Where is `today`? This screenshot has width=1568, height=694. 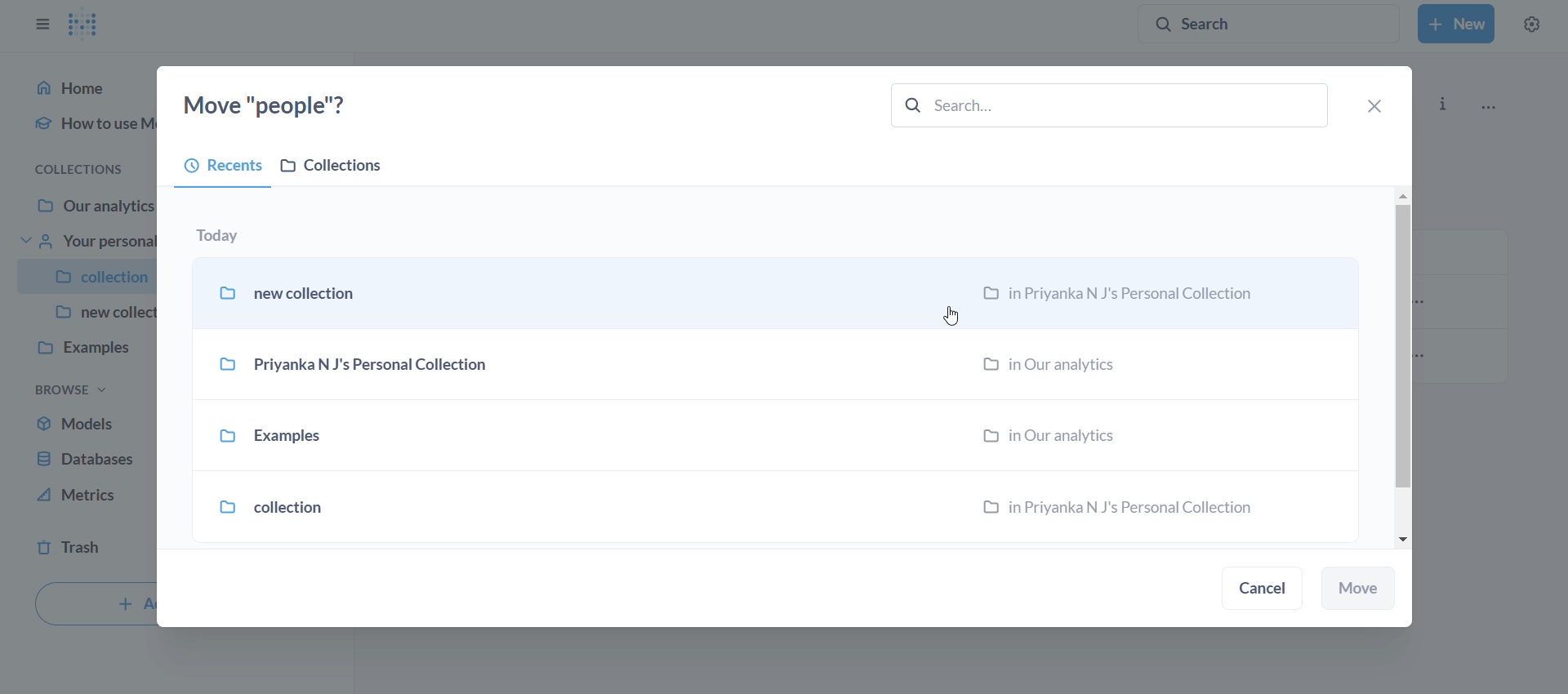
today is located at coordinates (229, 234).